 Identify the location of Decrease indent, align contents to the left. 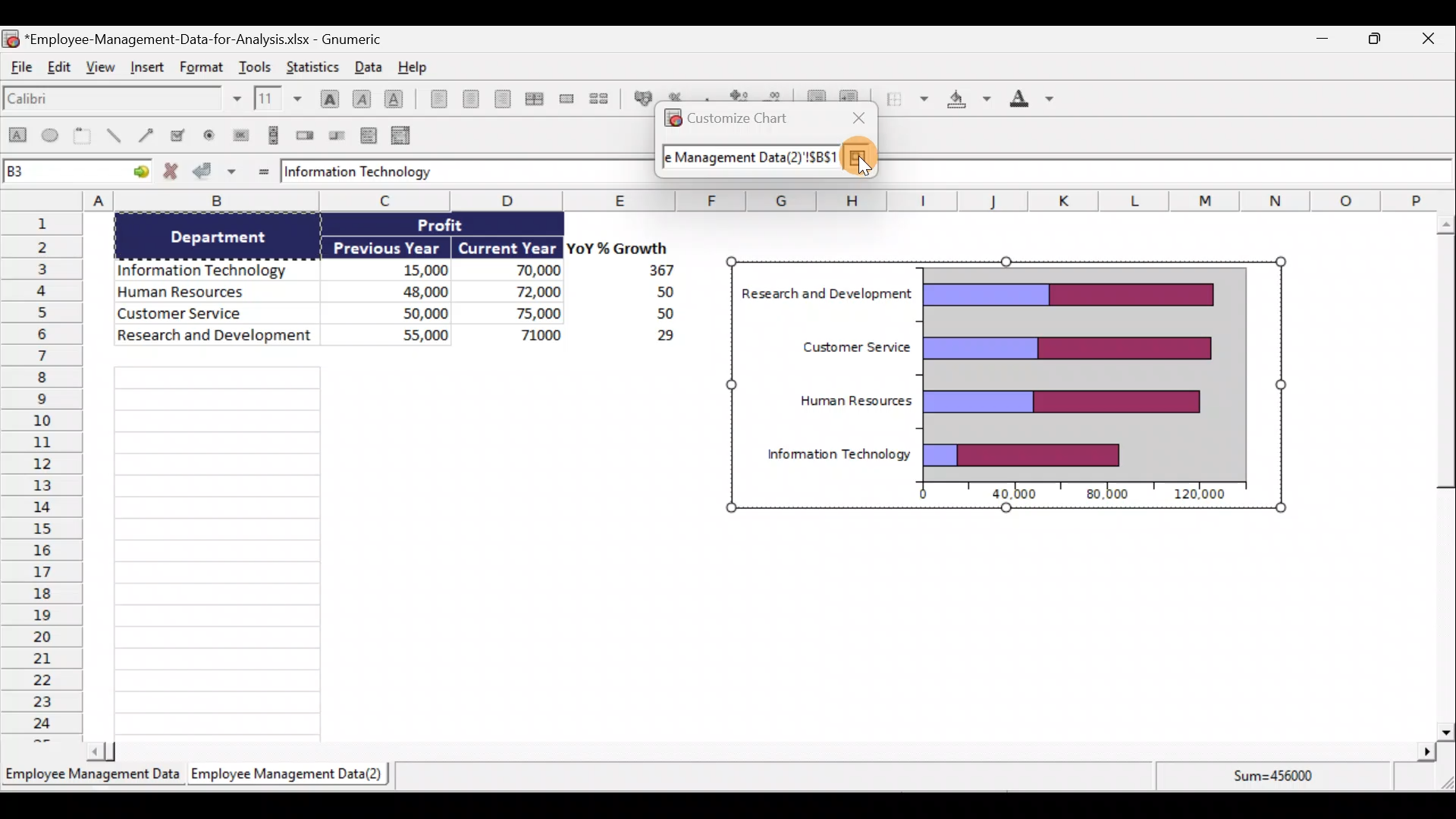
(814, 94).